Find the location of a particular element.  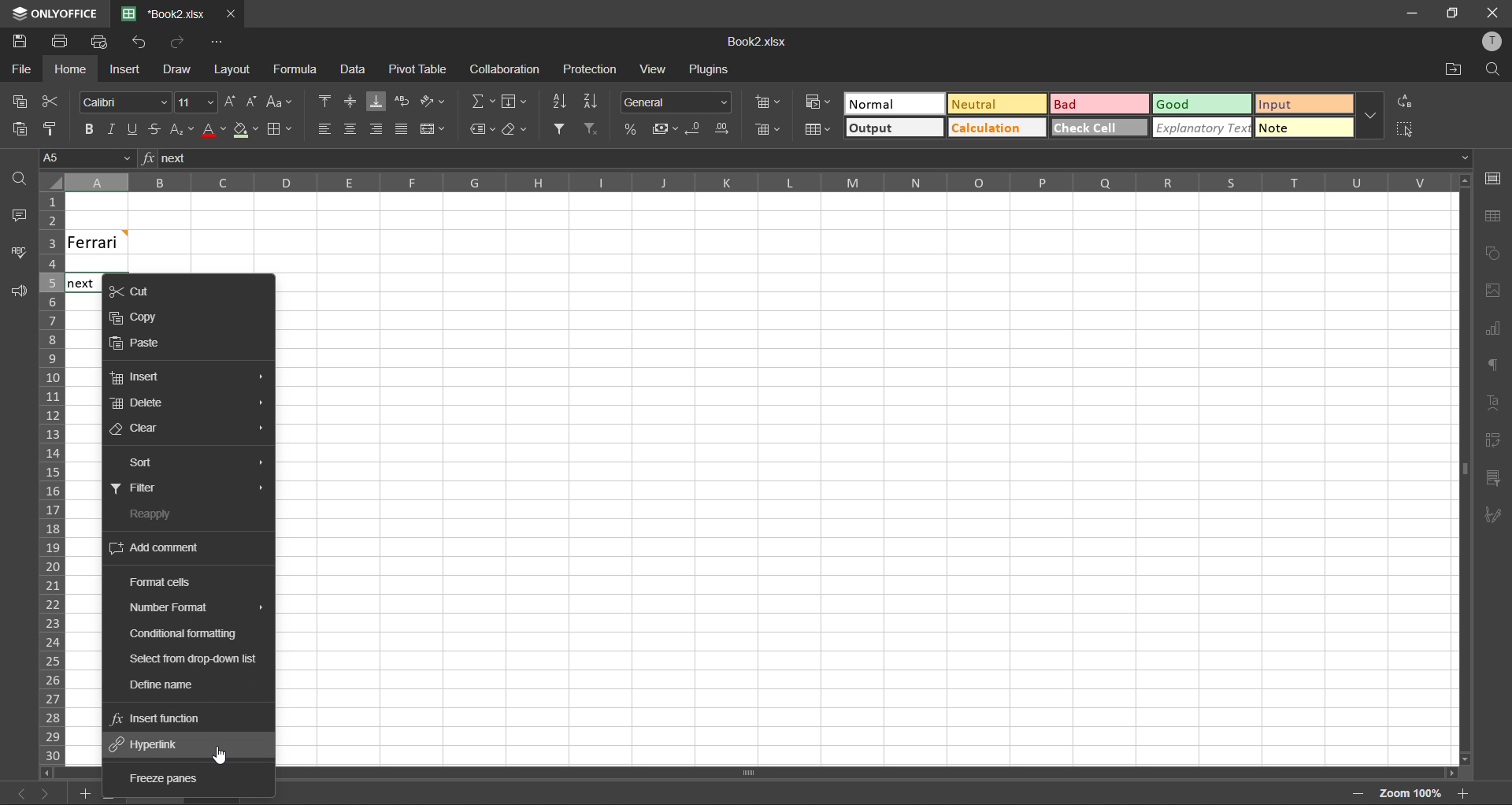

justified is located at coordinates (403, 131).